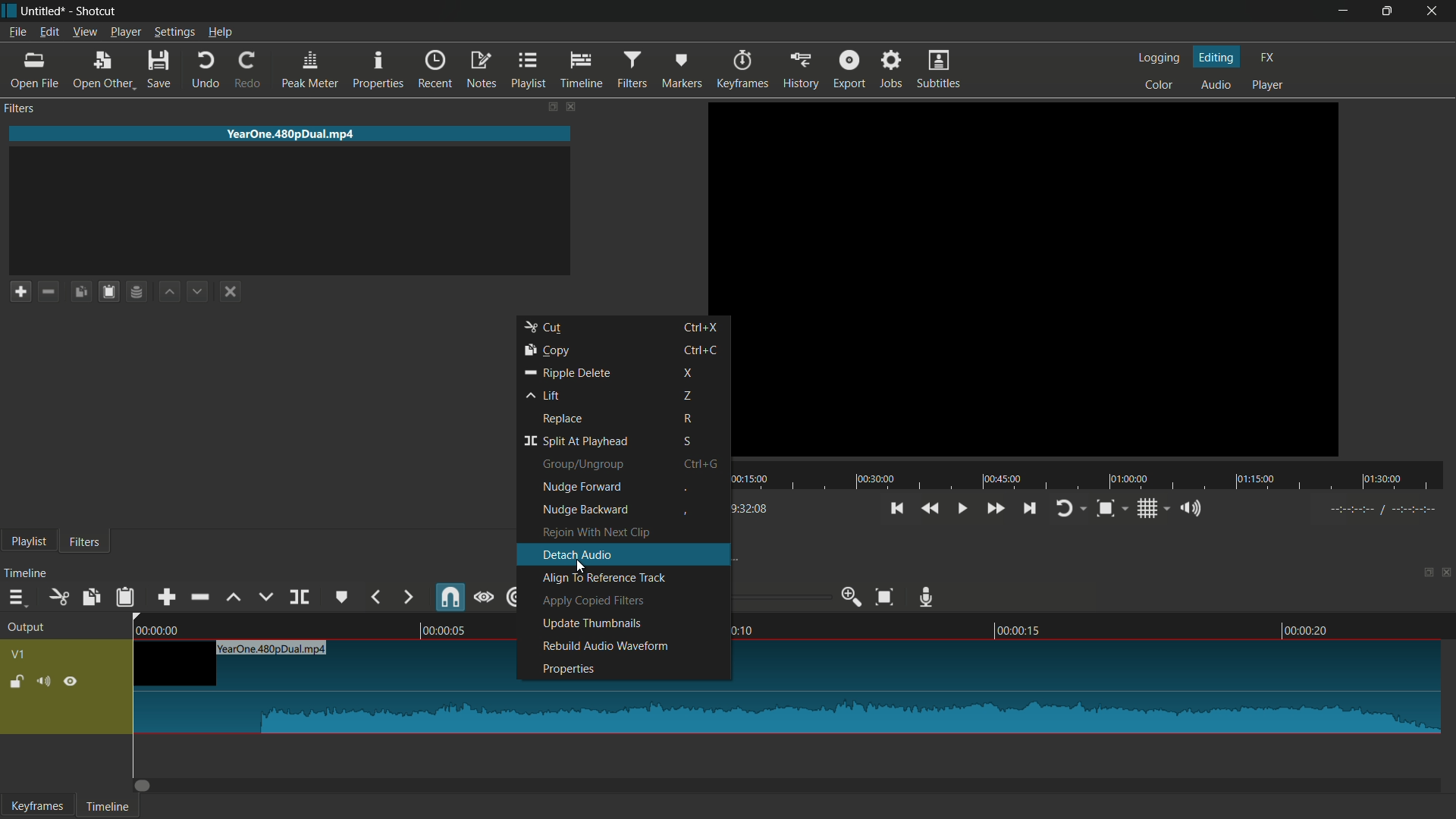  Describe the element at coordinates (378, 71) in the screenshot. I see `properties` at that location.